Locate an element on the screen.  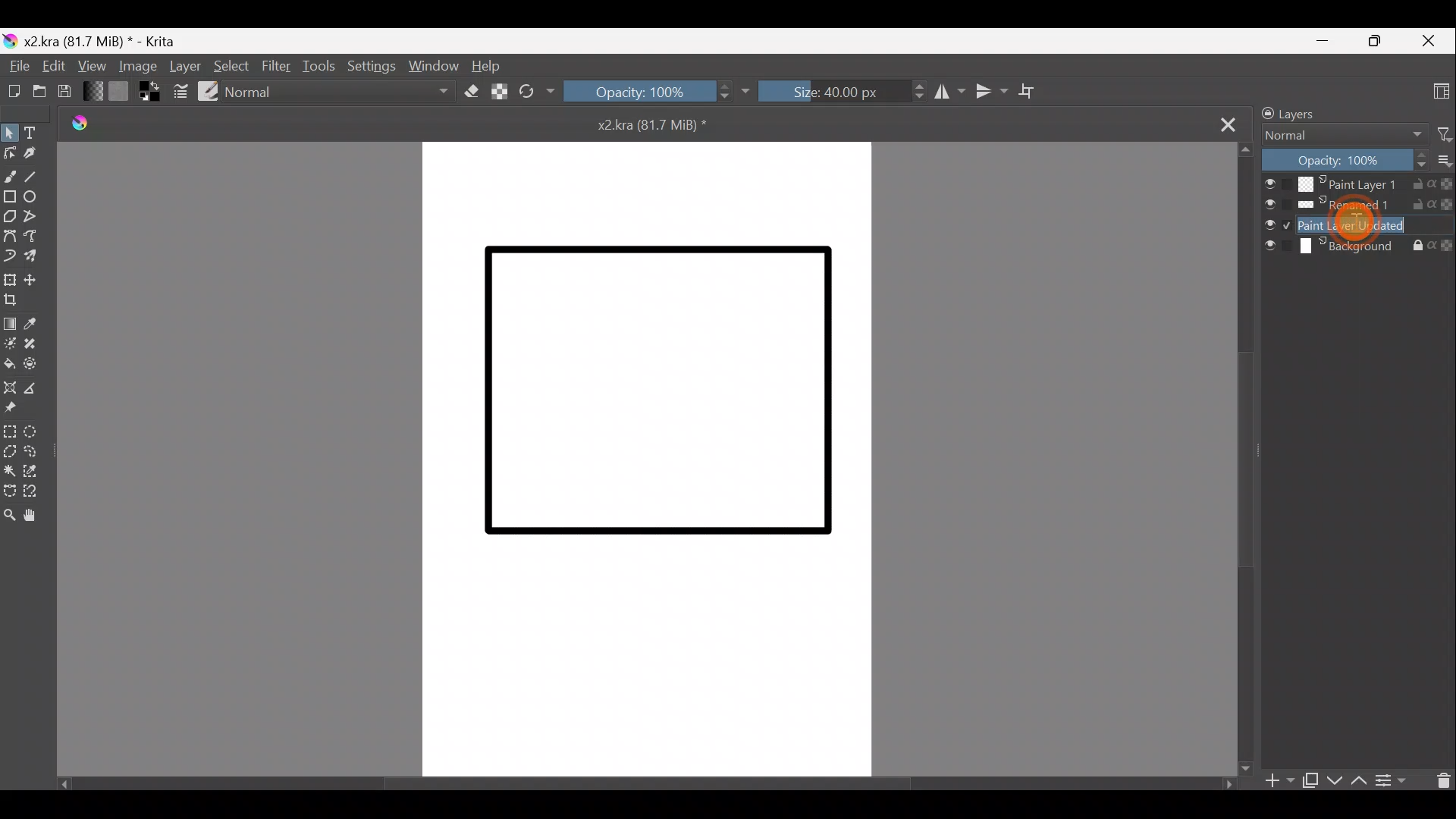
More is located at coordinates (1444, 161).